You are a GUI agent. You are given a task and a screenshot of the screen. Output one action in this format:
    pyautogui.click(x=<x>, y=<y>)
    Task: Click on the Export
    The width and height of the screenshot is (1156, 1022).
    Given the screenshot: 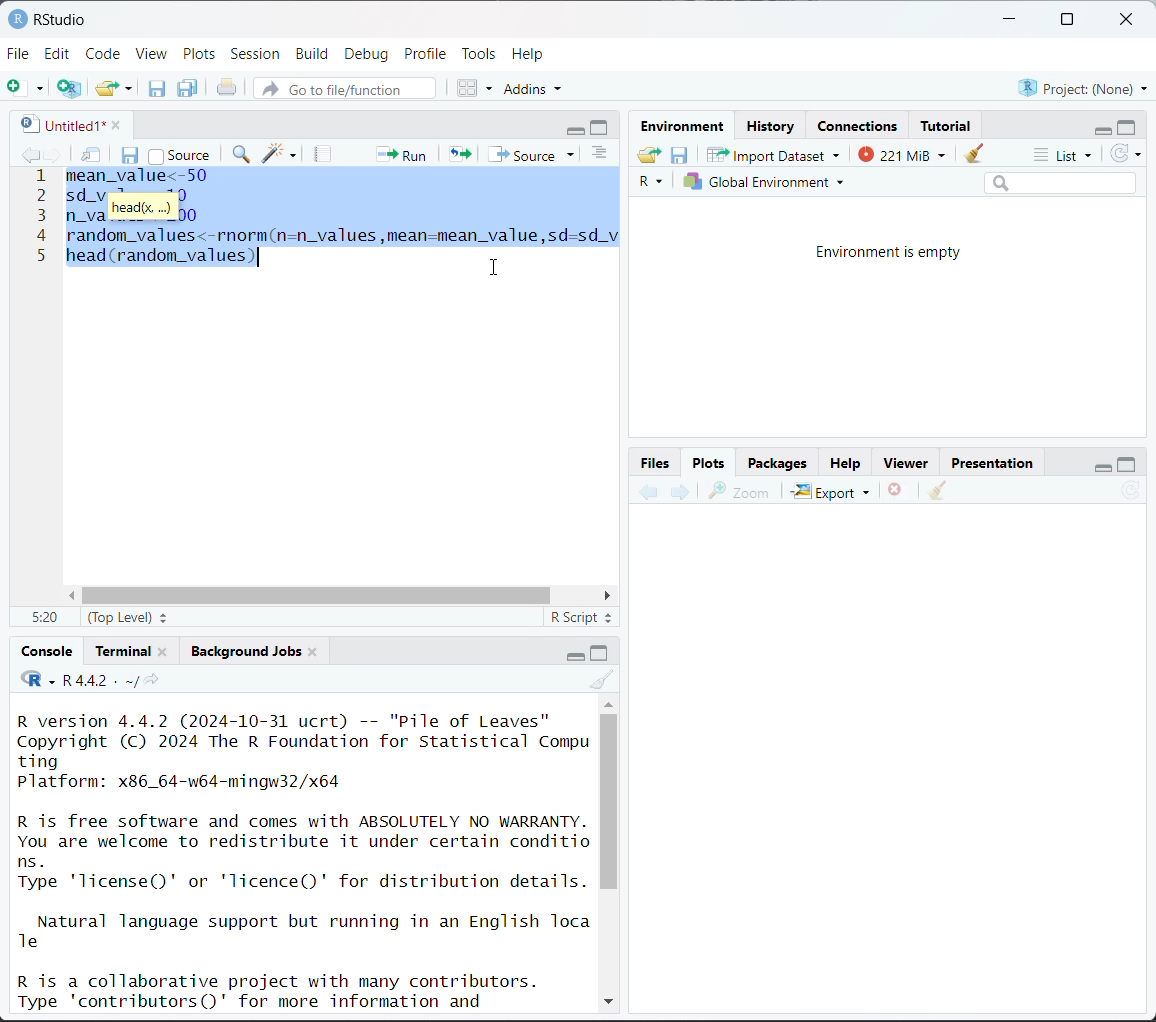 What is the action you would take?
    pyautogui.click(x=832, y=491)
    